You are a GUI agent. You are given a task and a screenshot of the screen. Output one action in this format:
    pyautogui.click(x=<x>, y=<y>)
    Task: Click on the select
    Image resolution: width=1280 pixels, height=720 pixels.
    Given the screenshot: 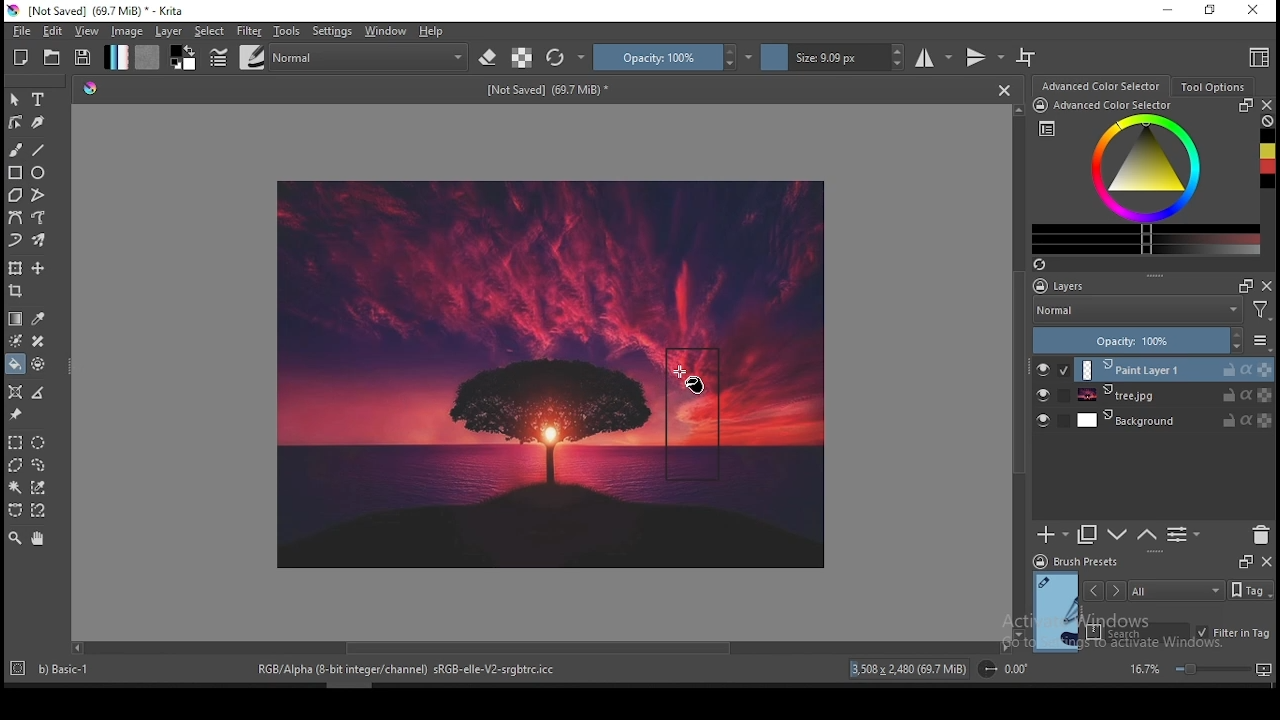 What is the action you would take?
    pyautogui.click(x=211, y=31)
    